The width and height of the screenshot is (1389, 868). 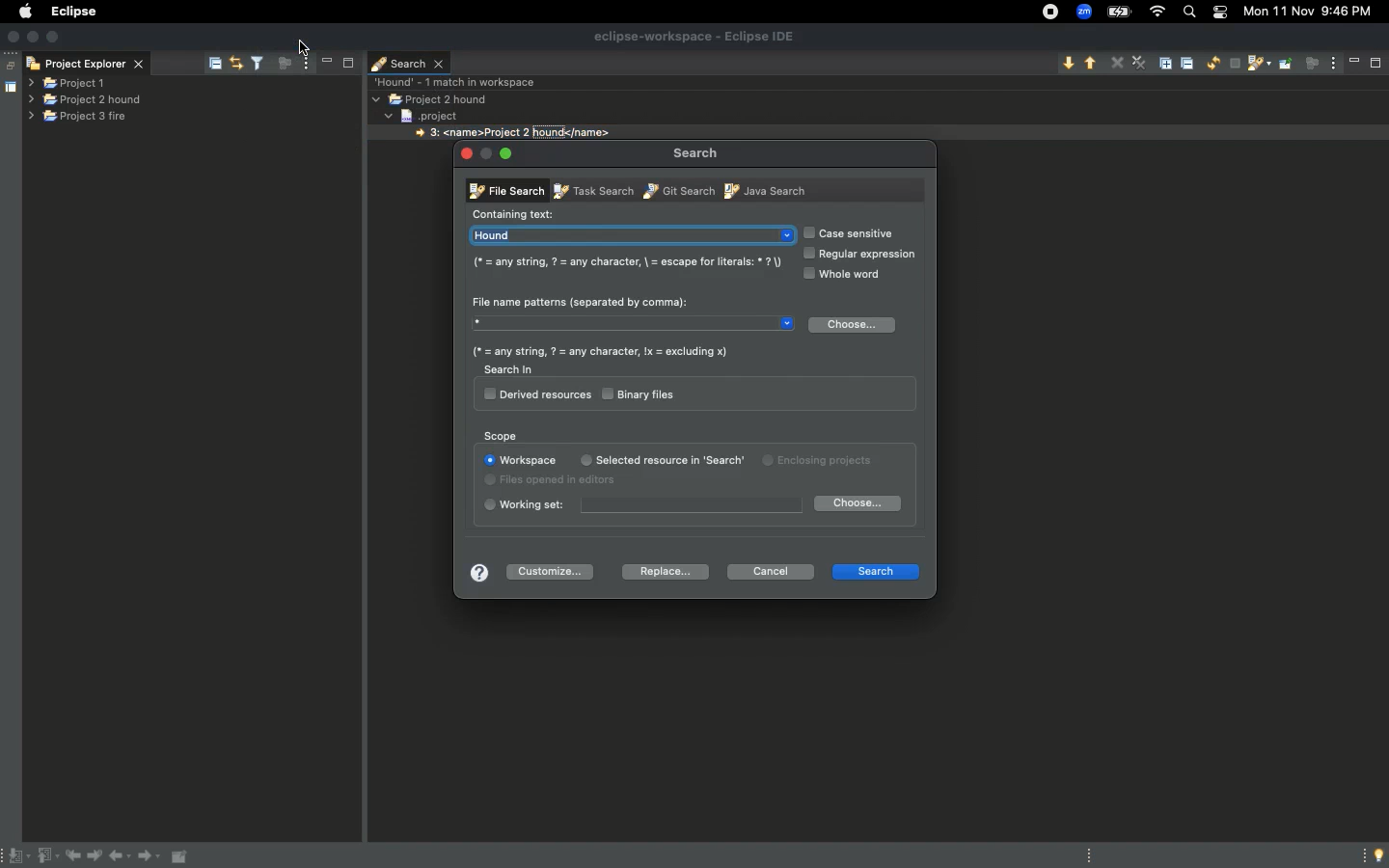 What do you see at coordinates (1334, 59) in the screenshot?
I see `view menu` at bounding box center [1334, 59].